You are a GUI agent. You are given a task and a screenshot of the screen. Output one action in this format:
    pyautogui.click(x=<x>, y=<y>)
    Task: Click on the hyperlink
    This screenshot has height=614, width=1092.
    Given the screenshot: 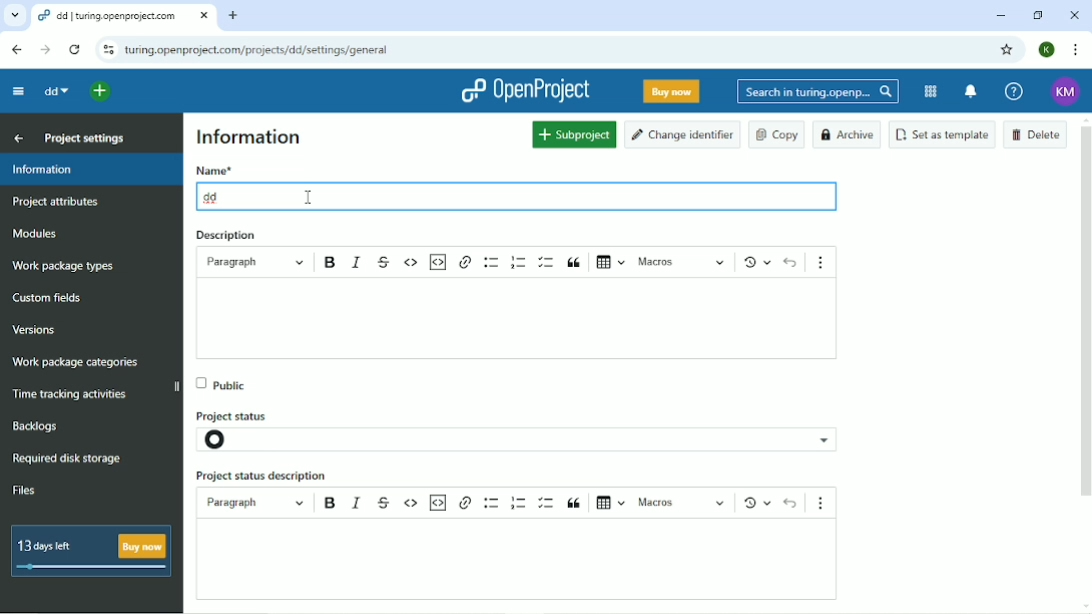 What is the action you would take?
    pyautogui.click(x=466, y=503)
    